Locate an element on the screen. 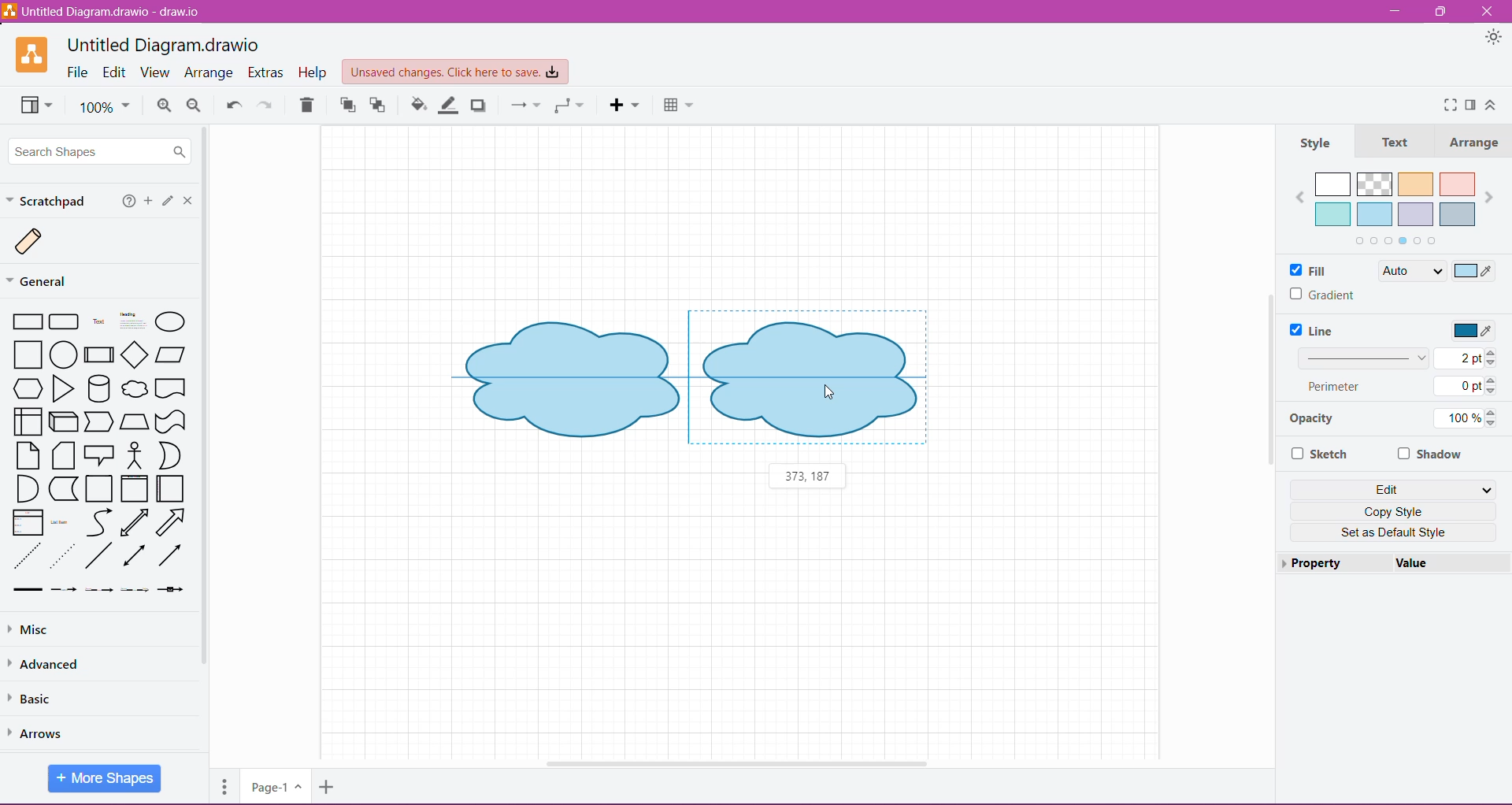  Copy Style is located at coordinates (1395, 512).